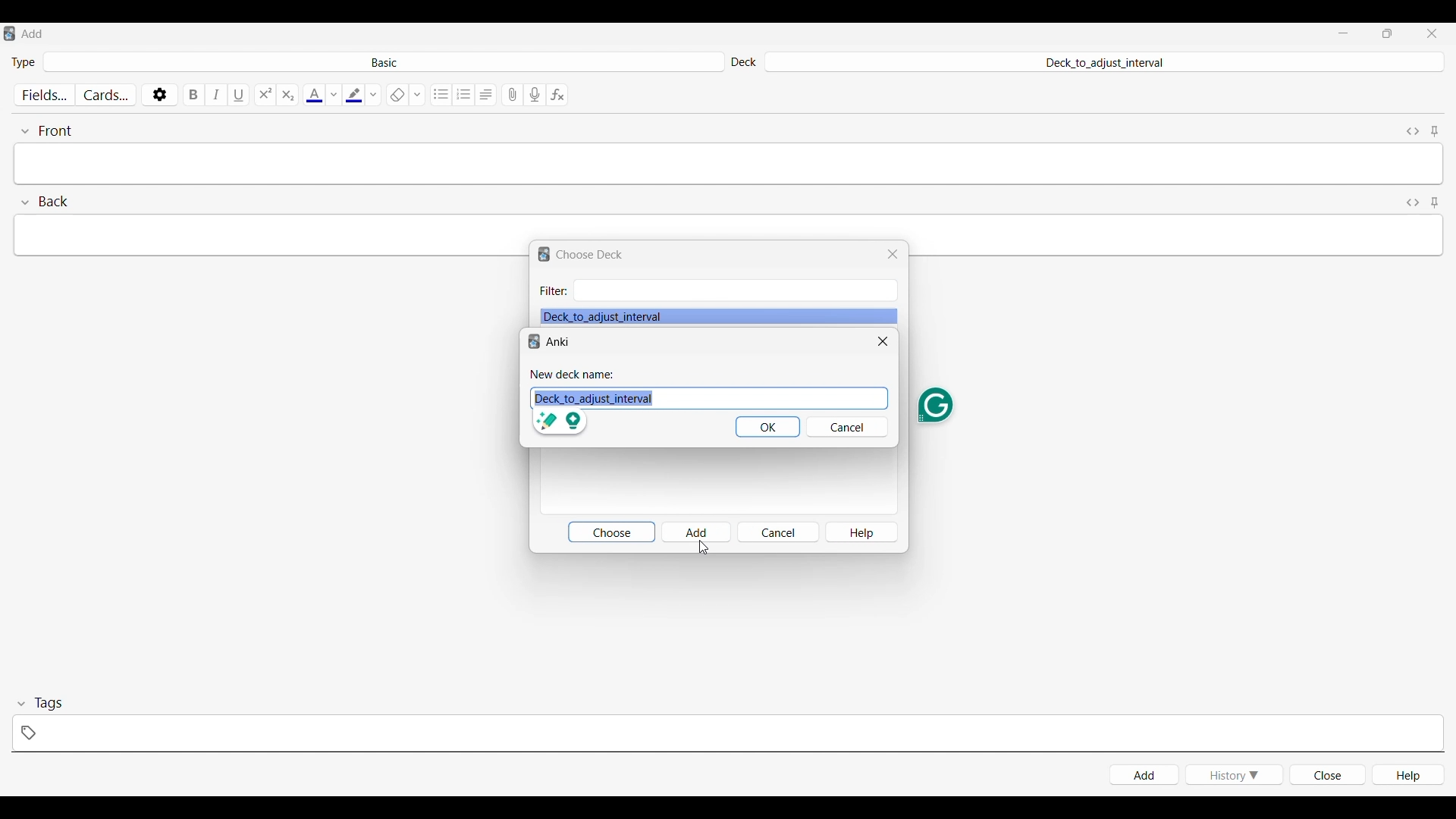 The height and width of the screenshot is (819, 1456). I want to click on Cancel, so click(849, 427).